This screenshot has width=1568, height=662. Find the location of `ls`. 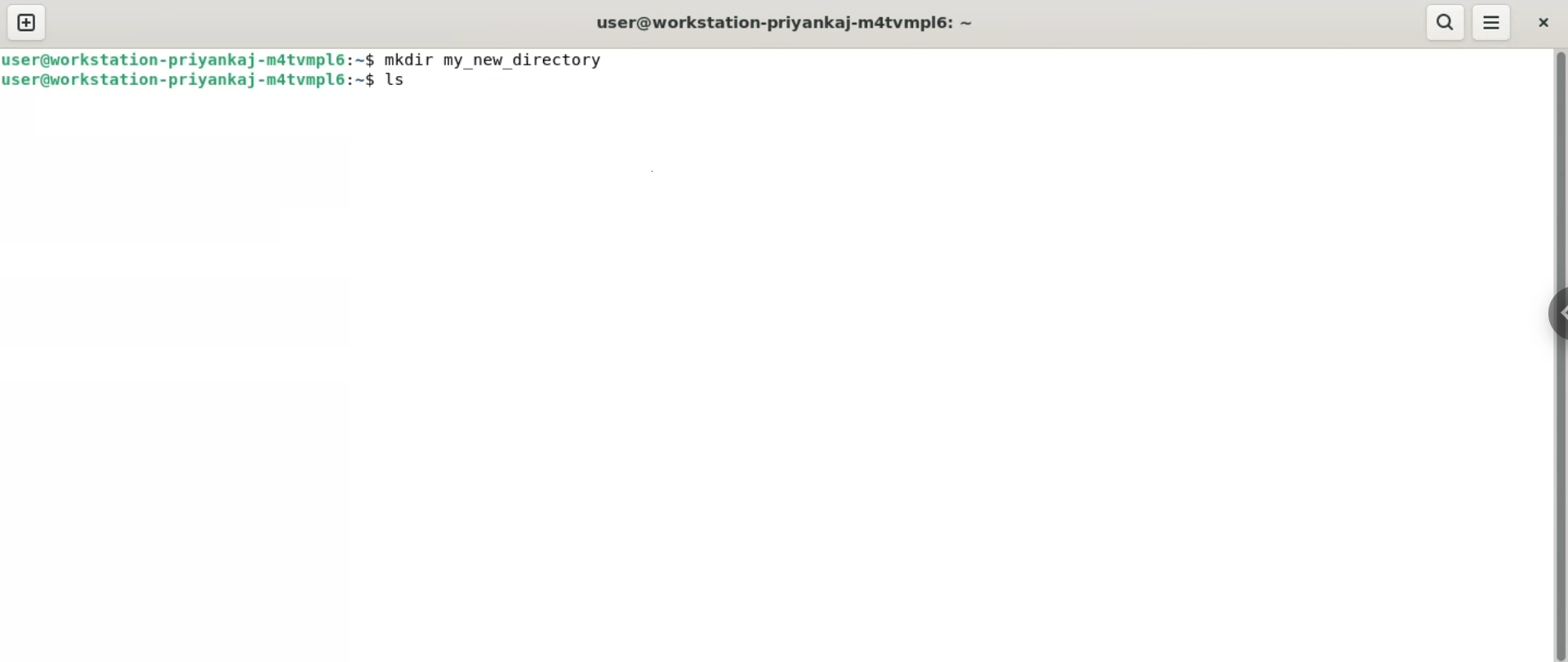

ls is located at coordinates (404, 82).